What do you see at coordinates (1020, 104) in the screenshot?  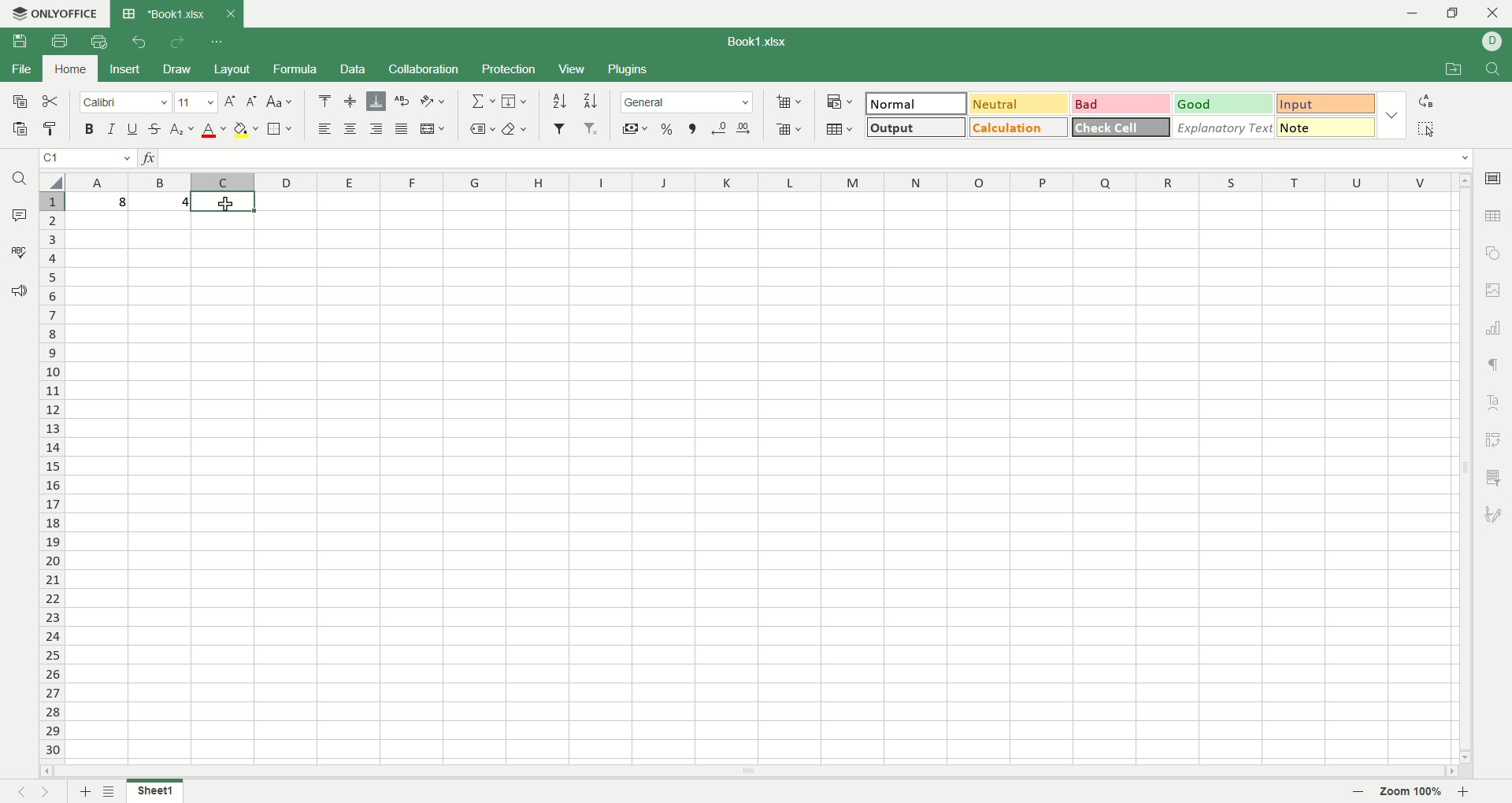 I see `neutral` at bounding box center [1020, 104].